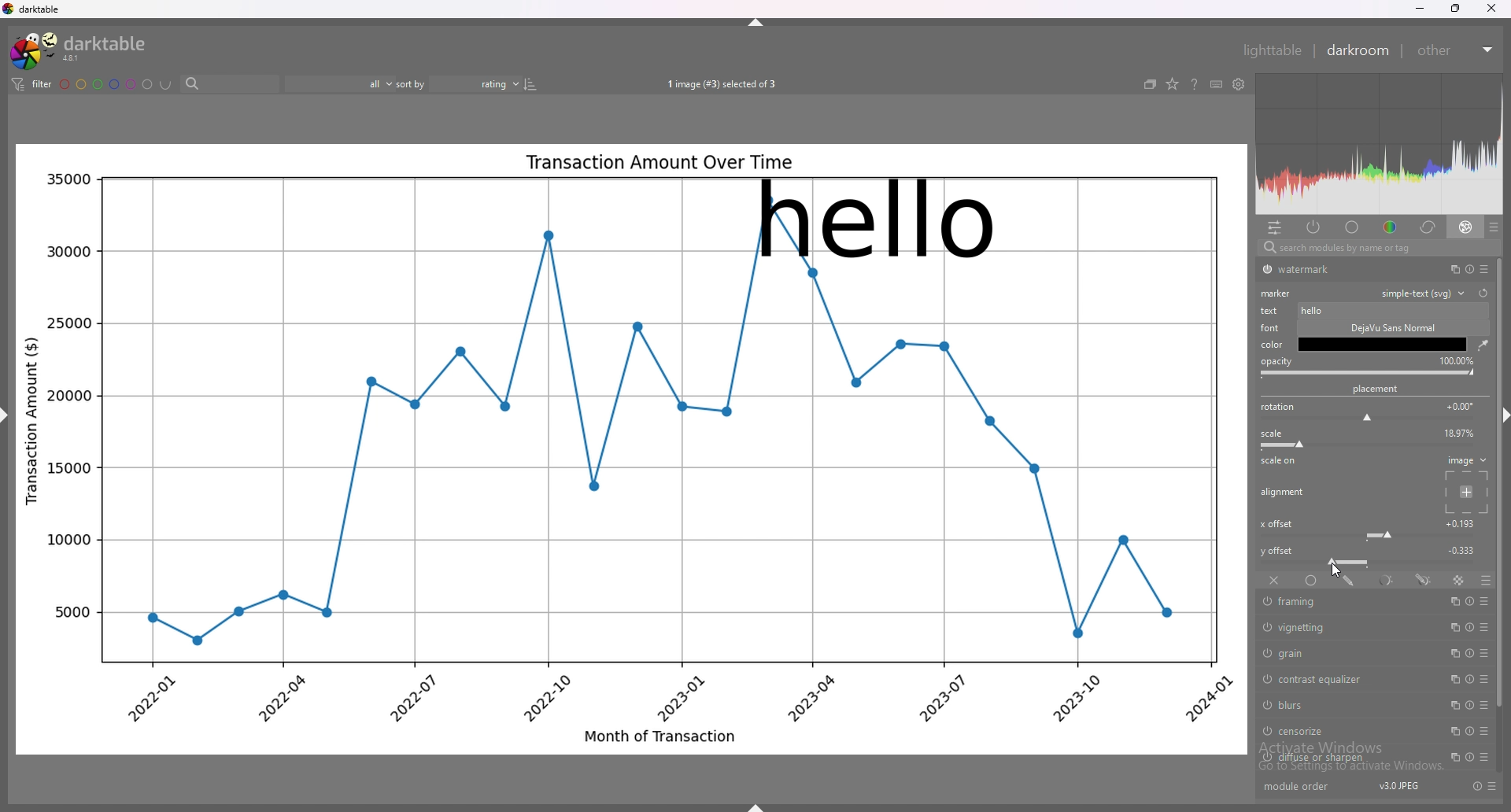  What do you see at coordinates (1453, 628) in the screenshot?
I see `multiple instances action` at bounding box center [1453, 628].